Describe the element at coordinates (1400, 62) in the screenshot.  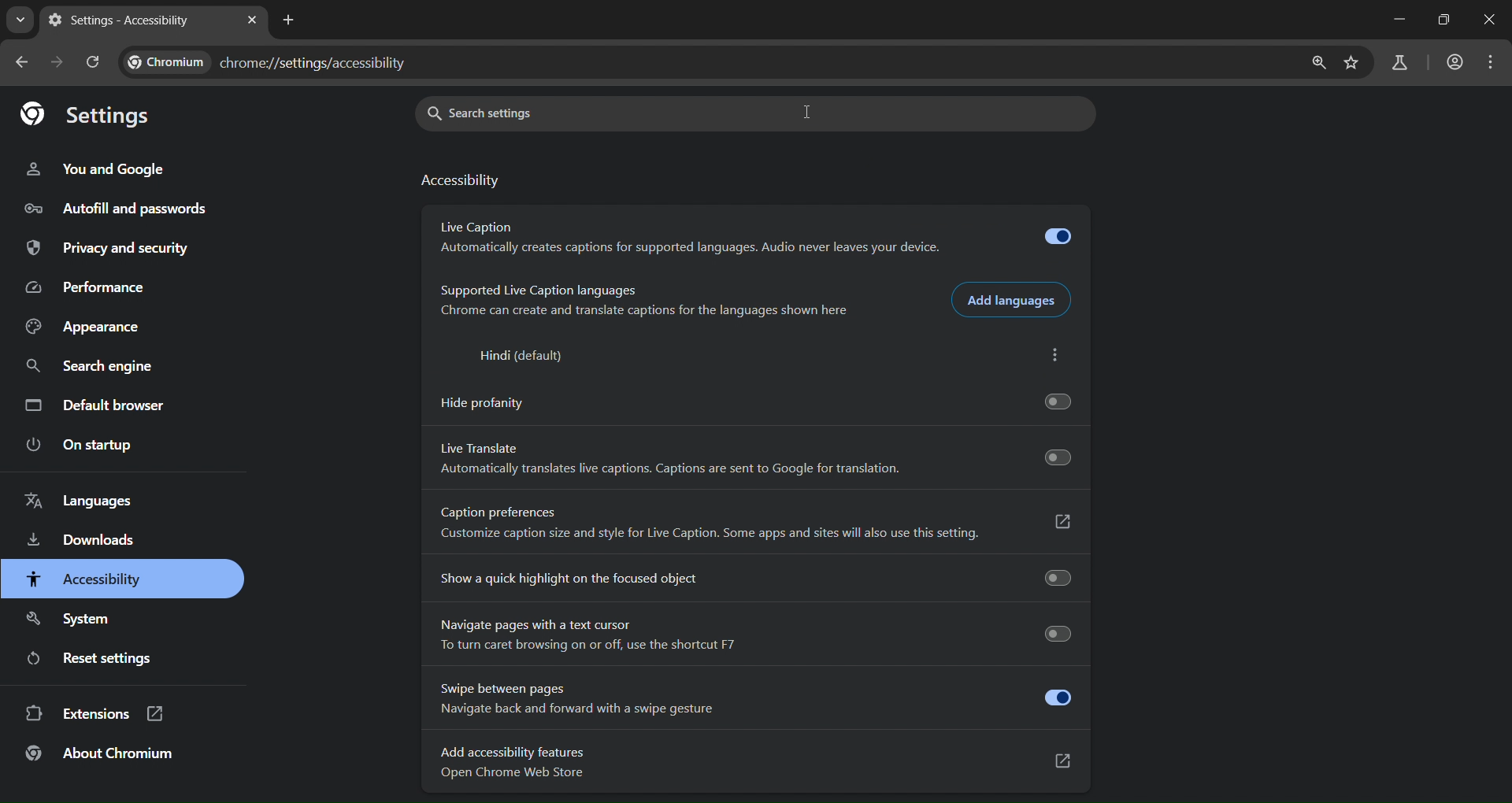
I see `earch labs` at that location.